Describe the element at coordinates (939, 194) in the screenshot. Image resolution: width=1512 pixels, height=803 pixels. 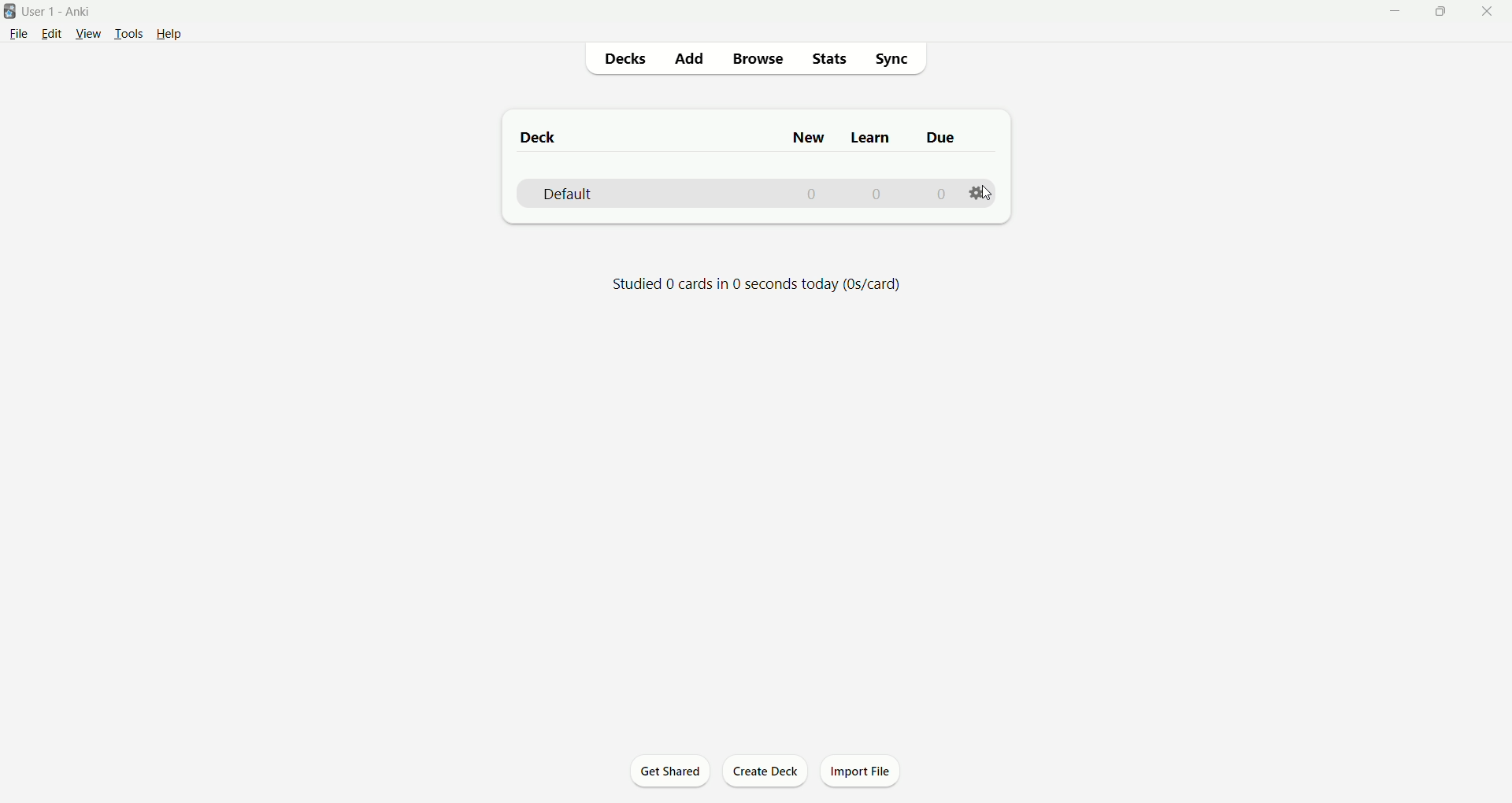
I see `0` at that location.